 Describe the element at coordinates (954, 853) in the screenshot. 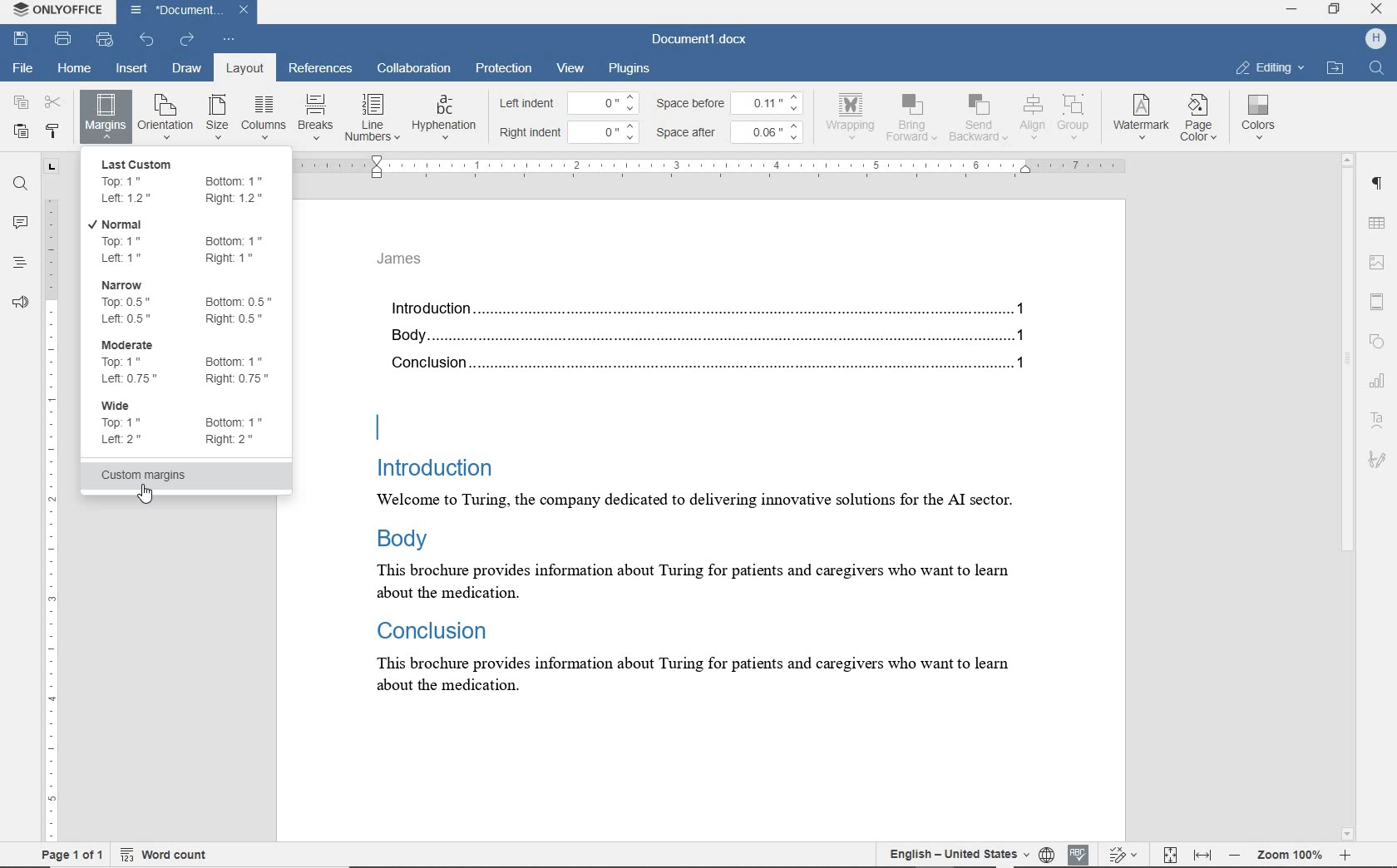

I see `text language` at that location.